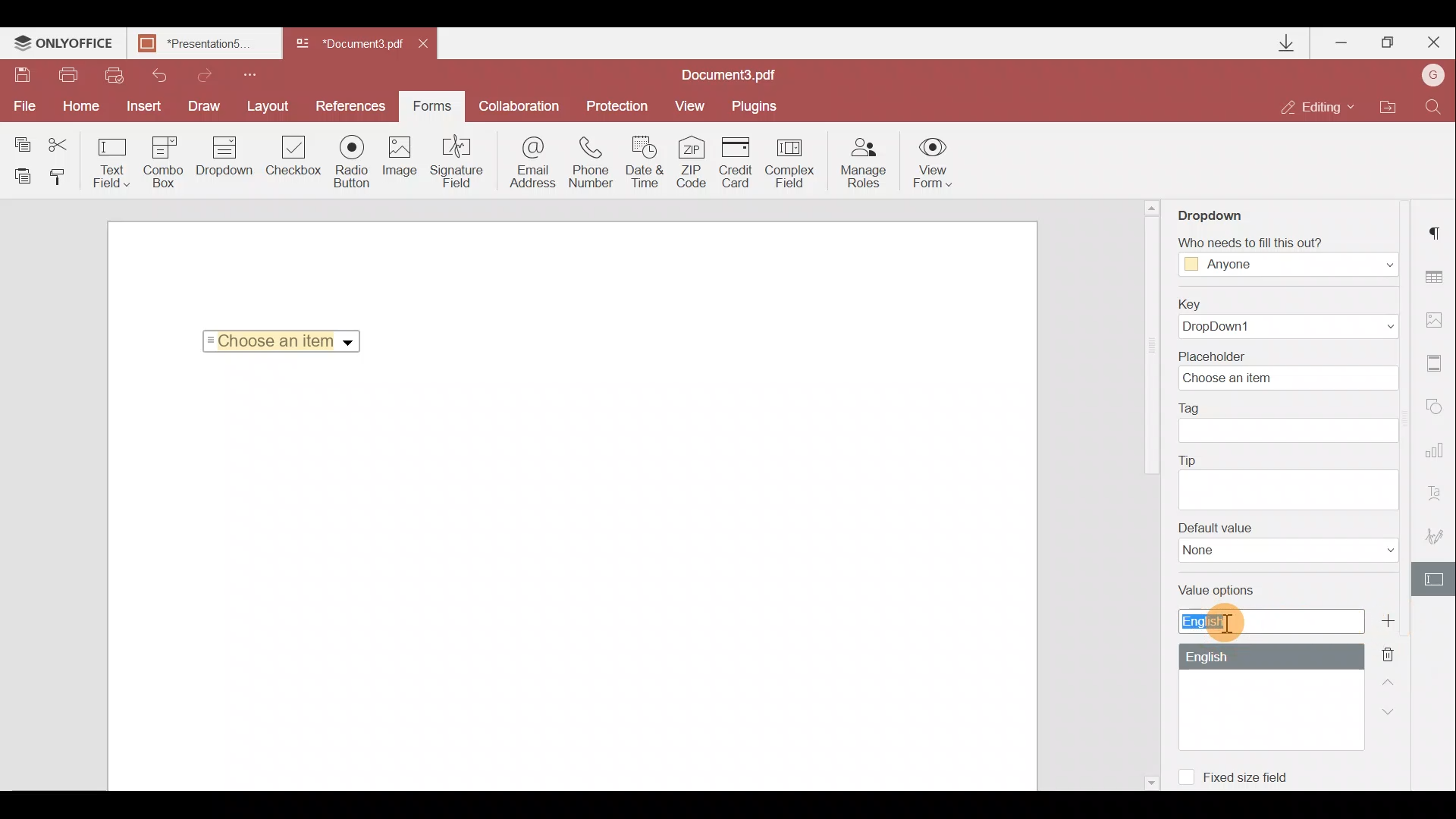  What do you see at coordinates (453, 161) in the screenshot?
I see `Signature field` at bounding box center [453, 161].